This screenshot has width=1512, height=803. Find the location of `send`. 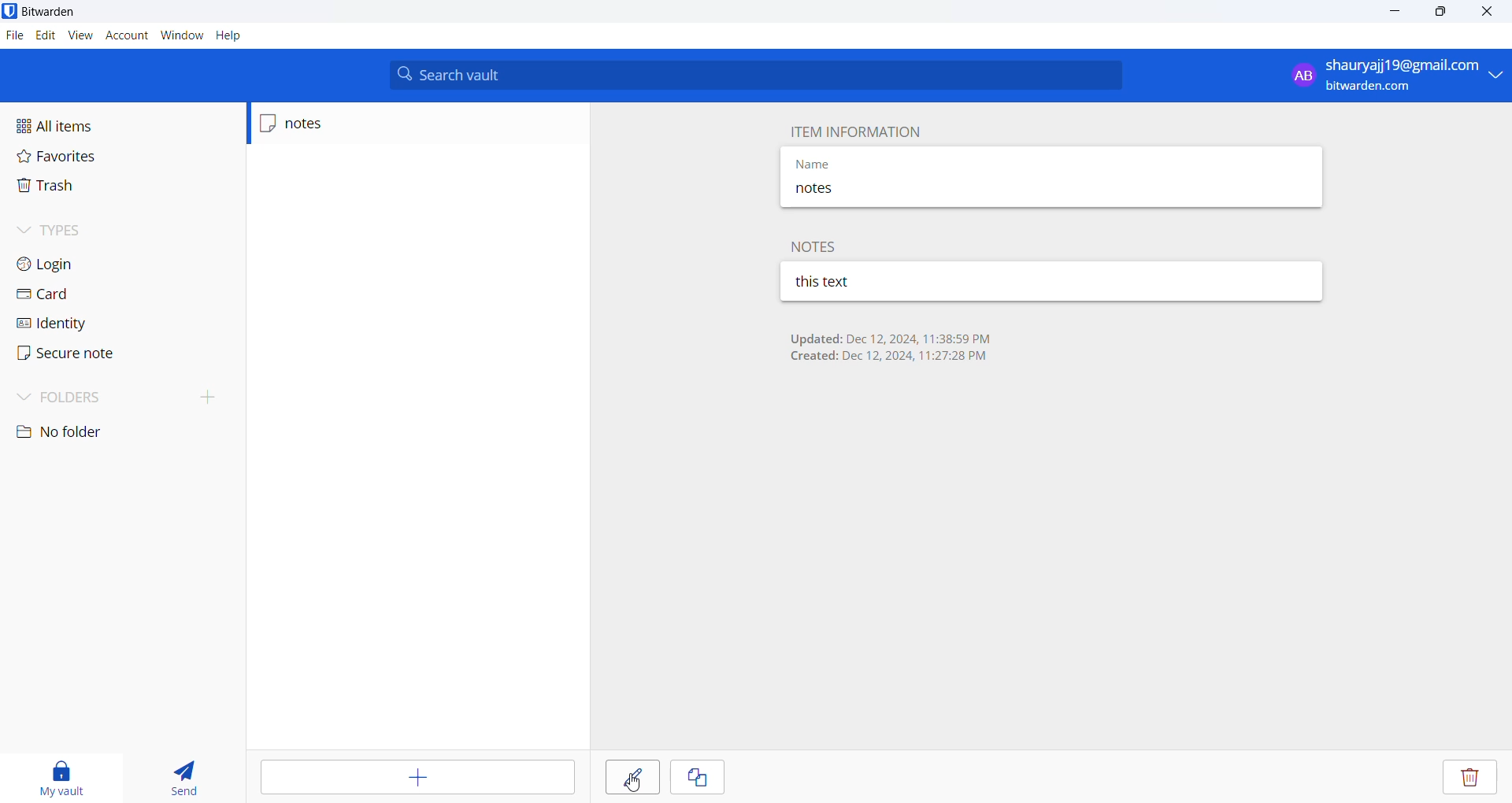

send is located at coordinates (179, 777).